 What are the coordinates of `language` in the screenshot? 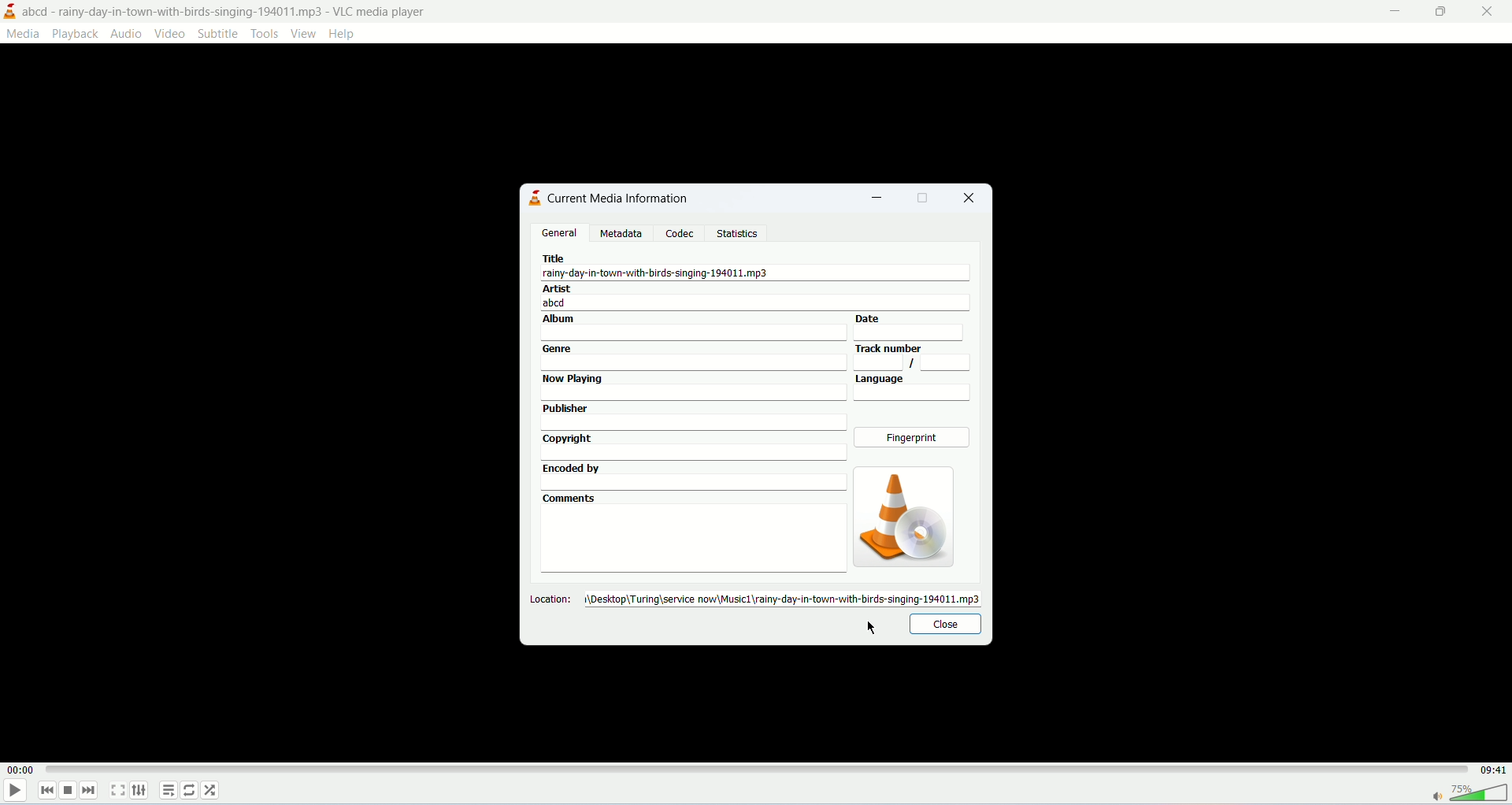 It's located at (914, 388).